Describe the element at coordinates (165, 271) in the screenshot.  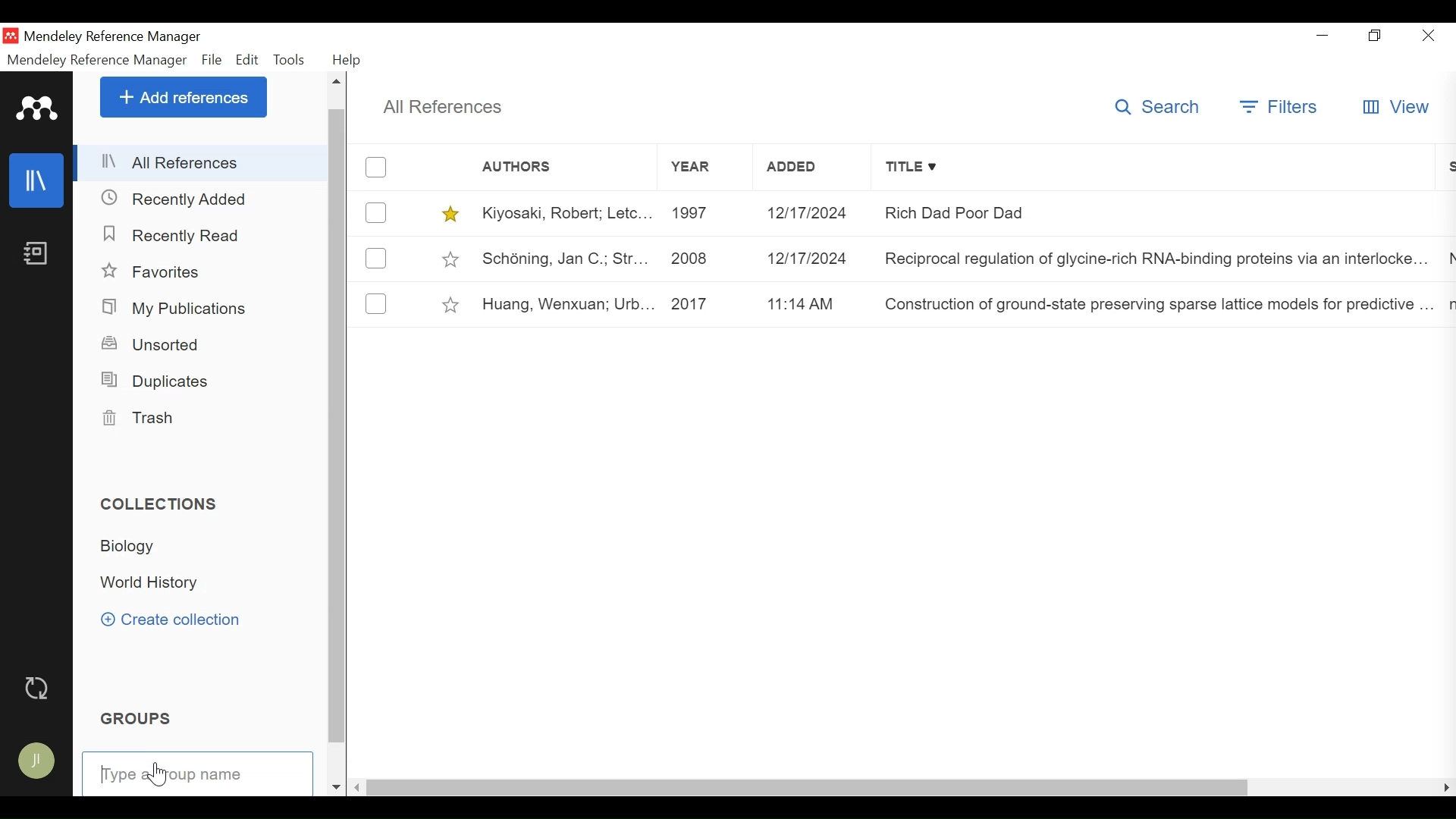
I see `Favorites` at that location.